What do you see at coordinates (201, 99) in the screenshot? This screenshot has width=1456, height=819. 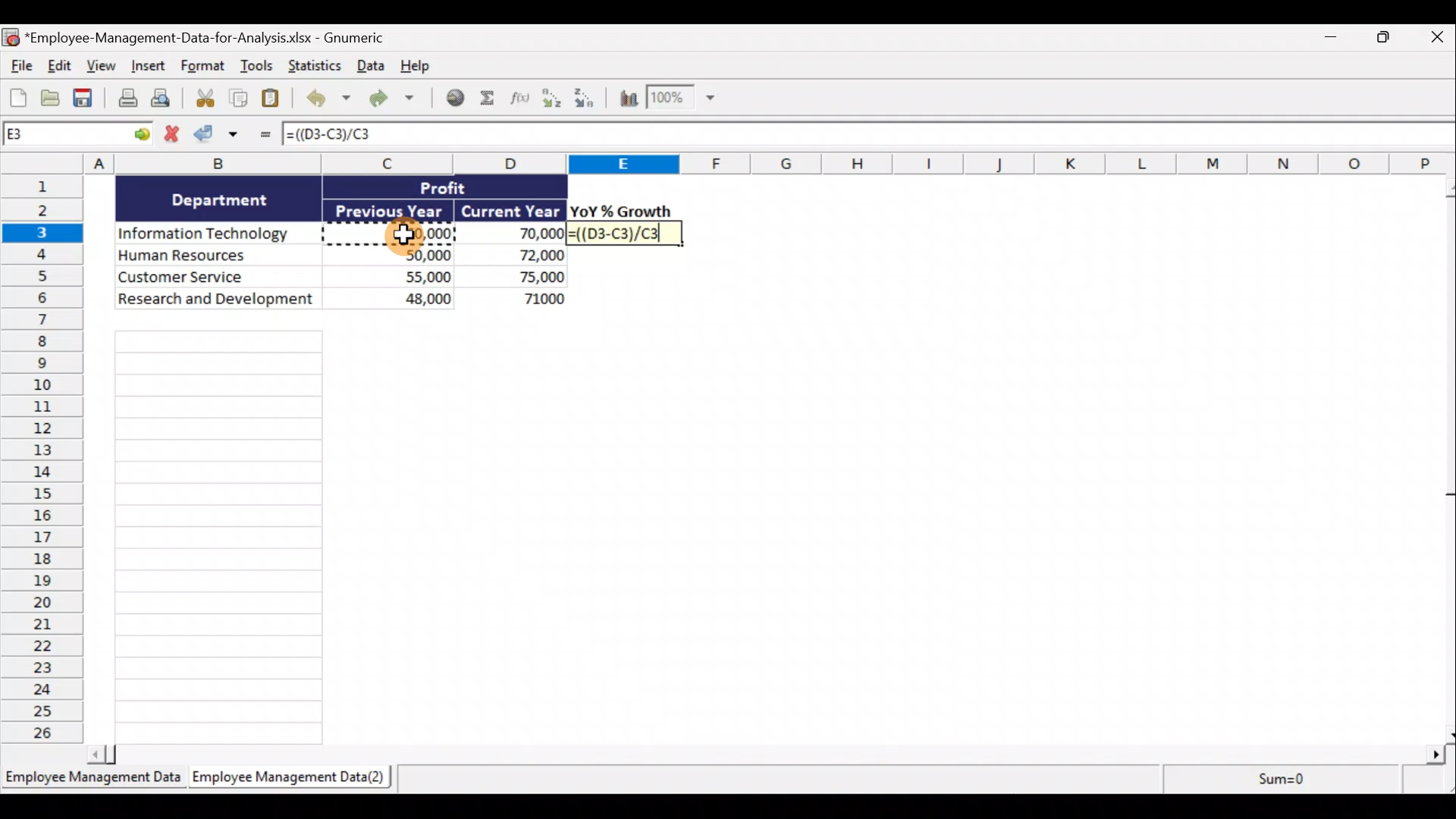 I see `Cut selection` at bounding box center [201, 99].